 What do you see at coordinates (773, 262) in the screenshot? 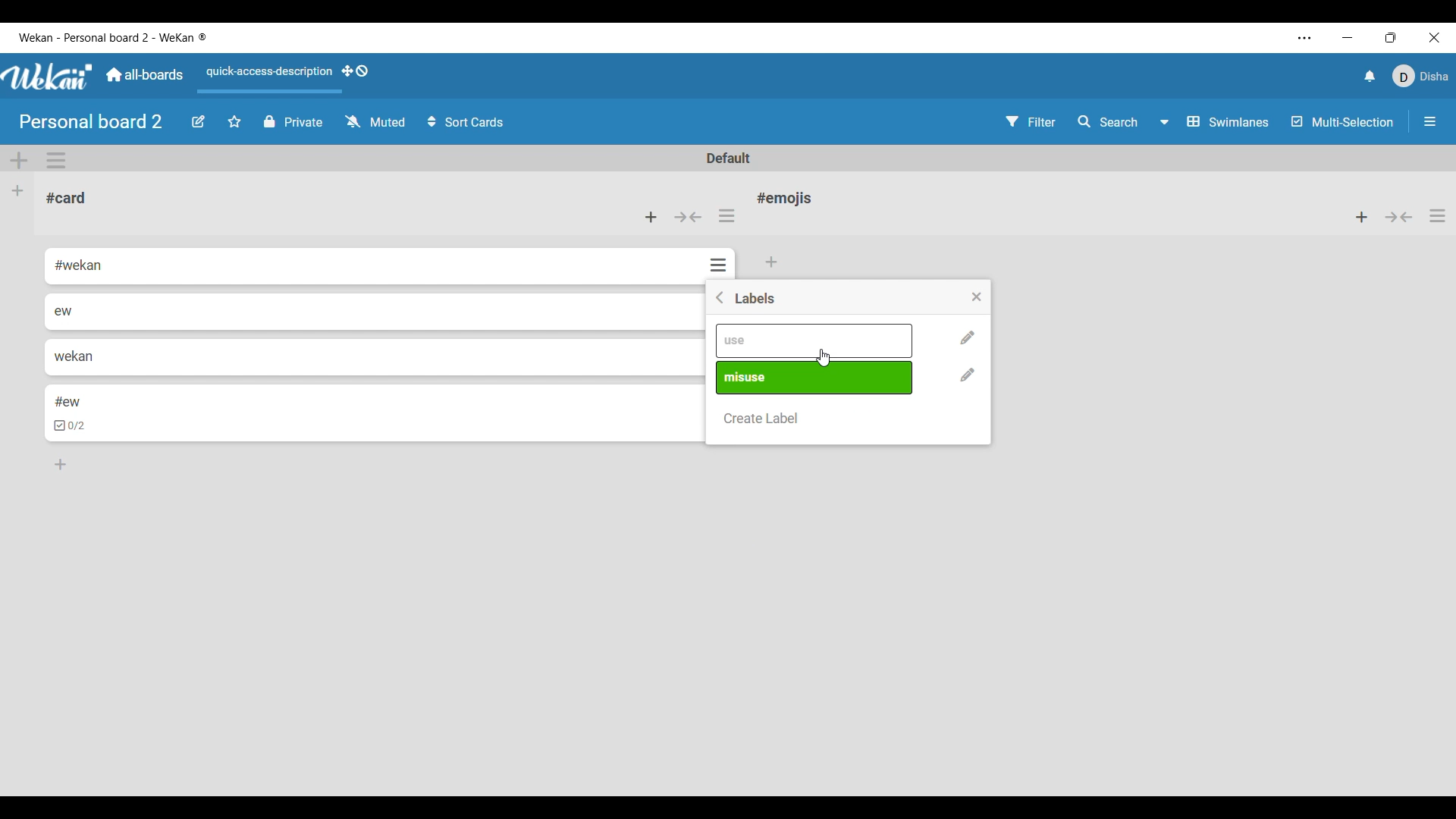
I see `Add card to bottom of list` at bounding box center [773, 262].